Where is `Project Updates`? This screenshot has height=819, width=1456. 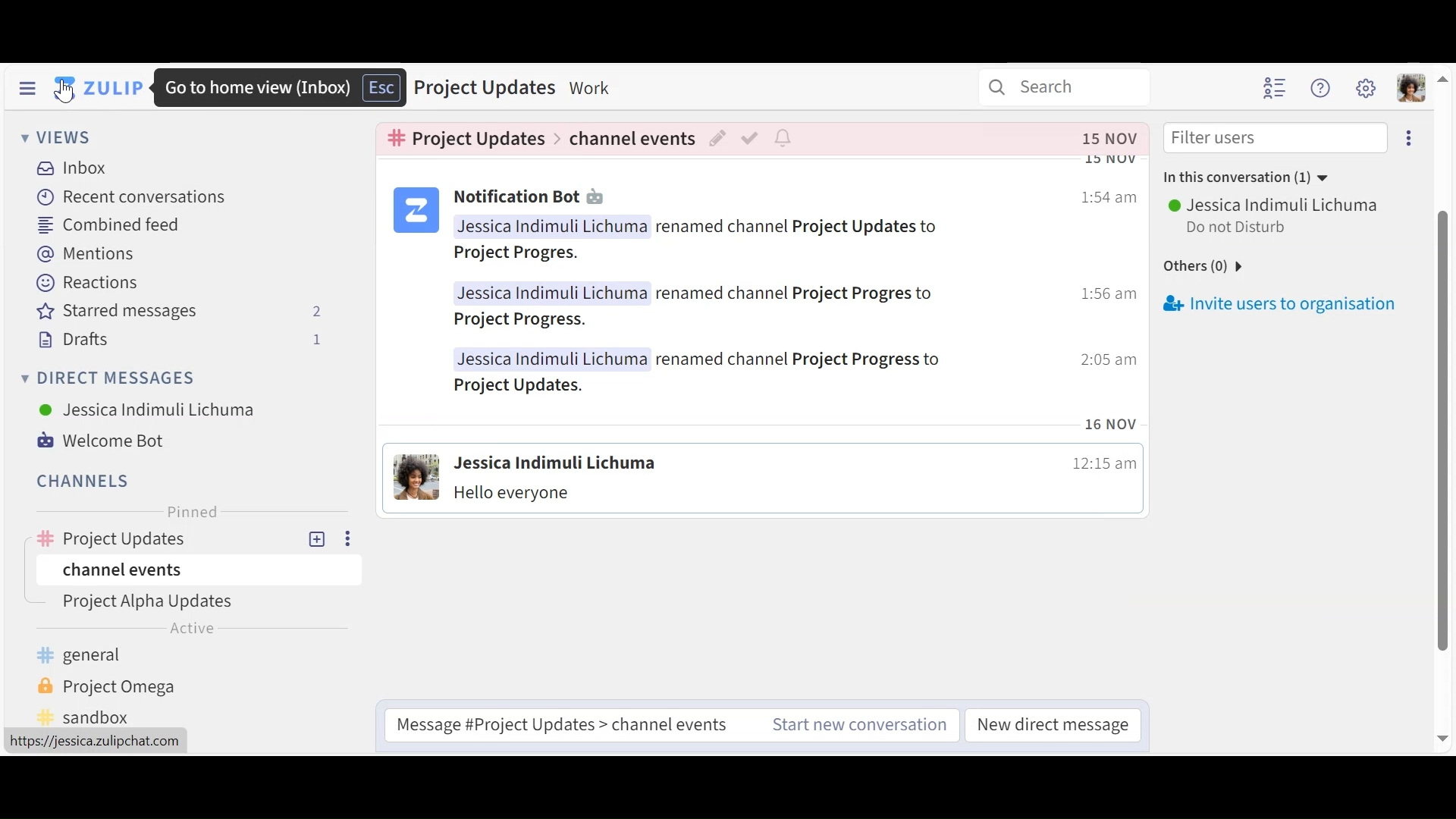
Project Updates is located at coordinates (165, 539).